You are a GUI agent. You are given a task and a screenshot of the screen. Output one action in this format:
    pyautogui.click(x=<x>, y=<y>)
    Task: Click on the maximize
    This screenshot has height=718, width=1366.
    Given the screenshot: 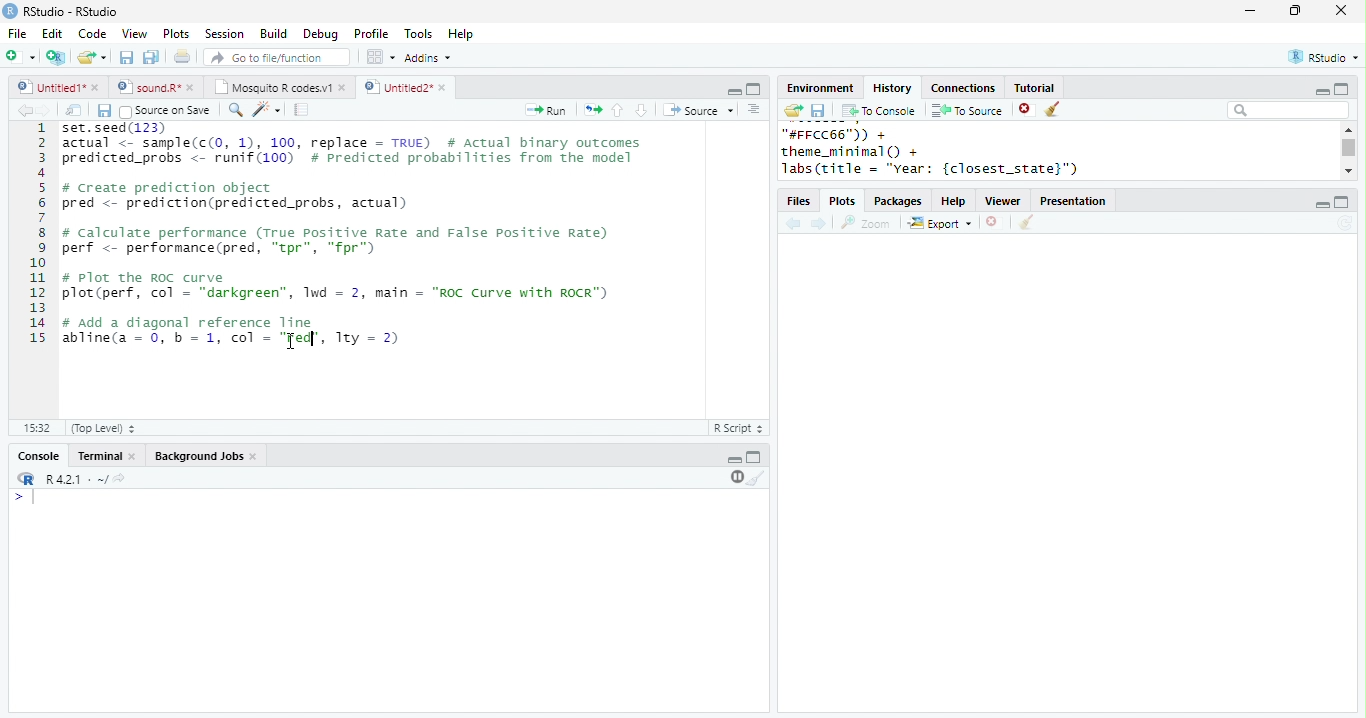 What is the action you would take?
    pyautogui.click(x=1342, y=202)
    